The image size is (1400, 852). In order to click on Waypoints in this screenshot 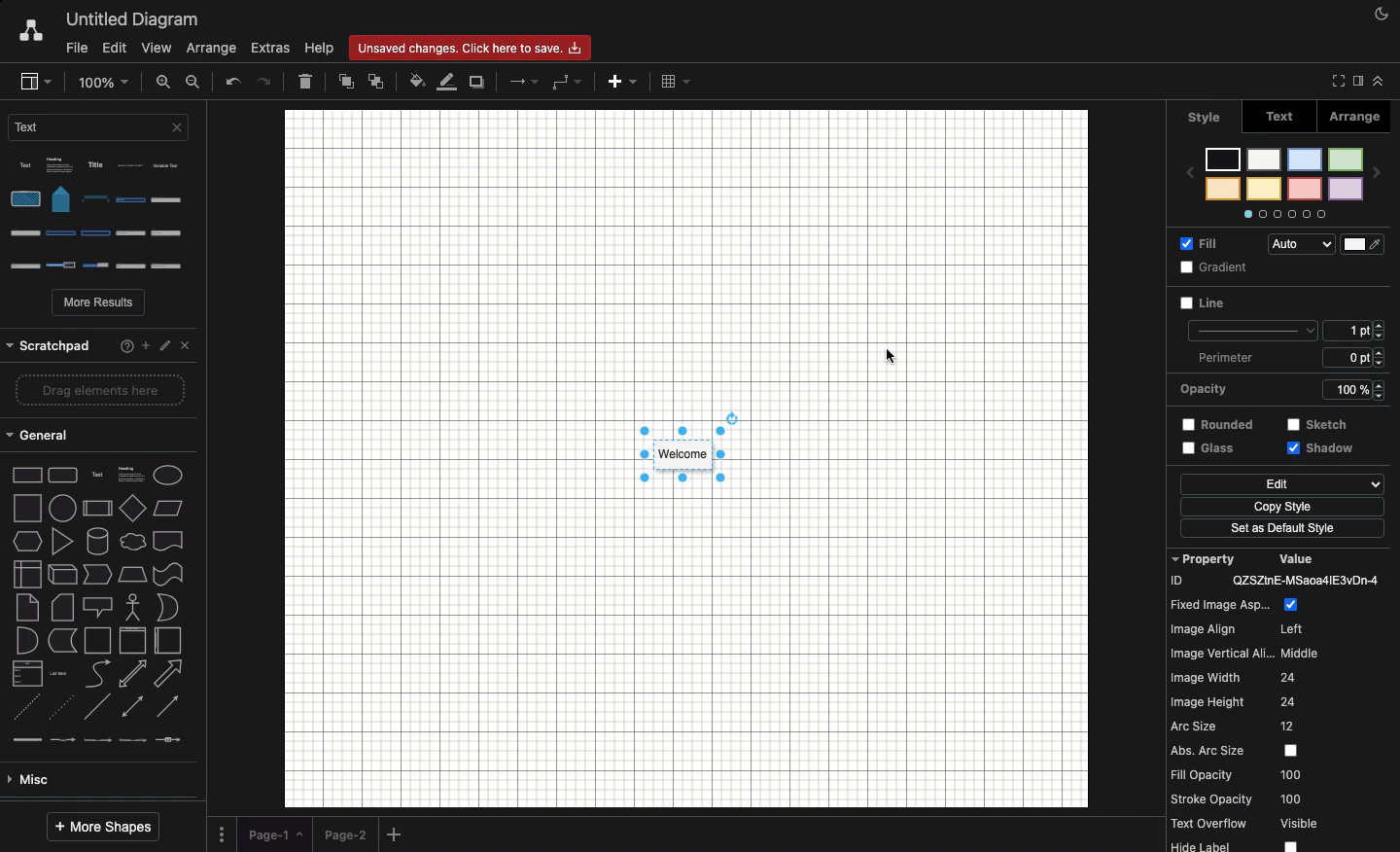, I will do `click(567, 83)`.